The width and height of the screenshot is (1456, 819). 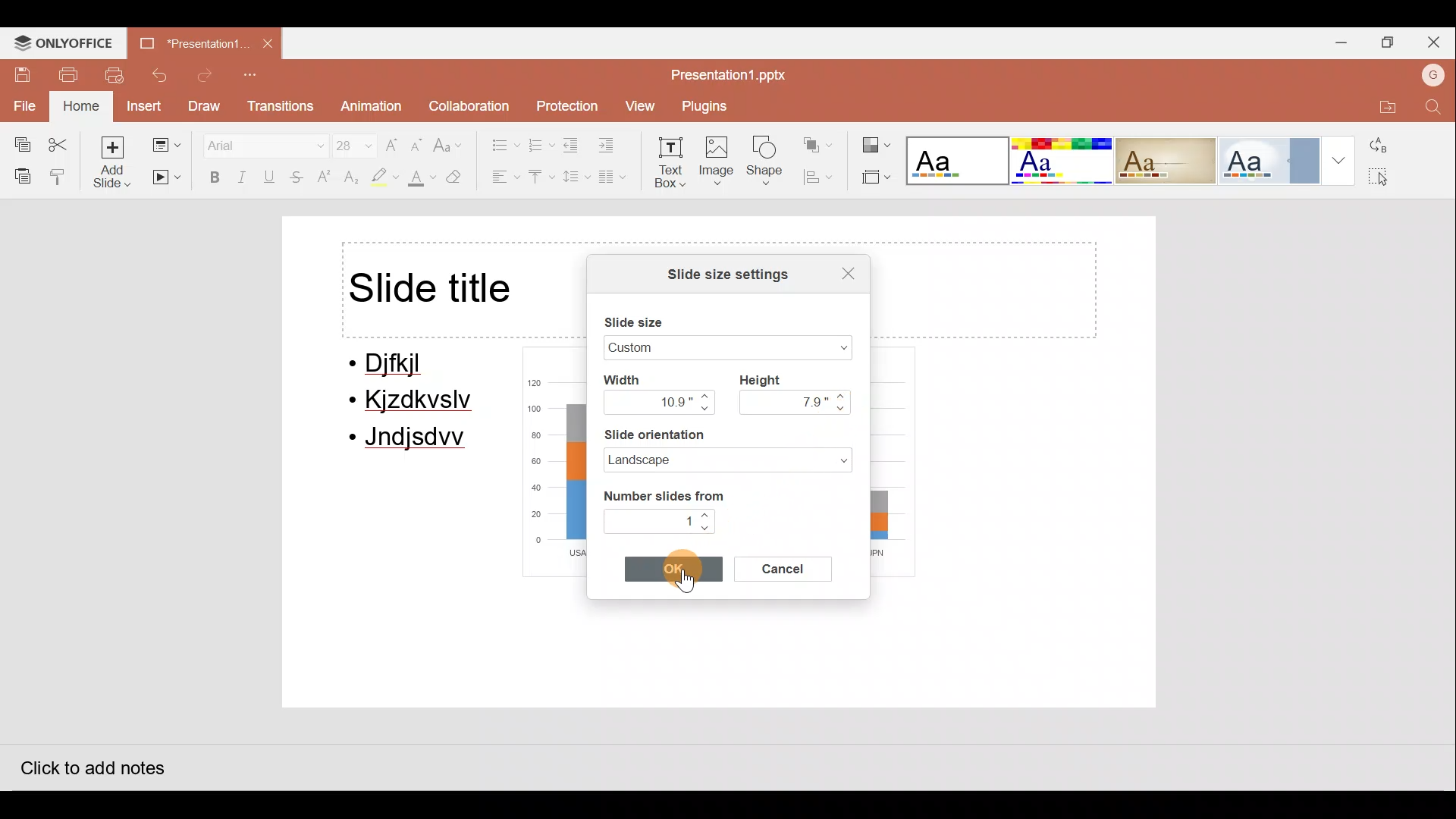 I want to click on Cancel, so click(x=786, y=570).